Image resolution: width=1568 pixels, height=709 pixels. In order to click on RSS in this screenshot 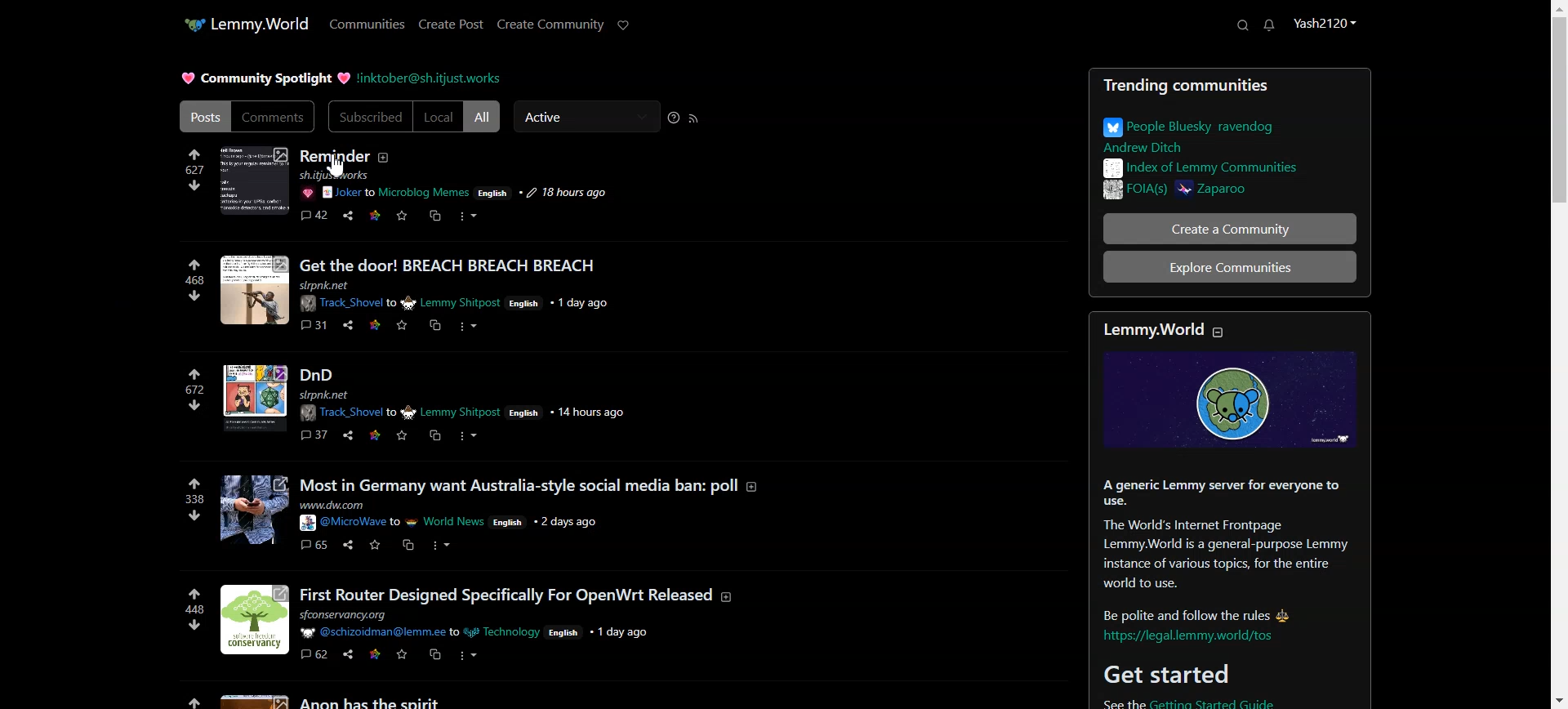, I will do `click(693, 118)`.